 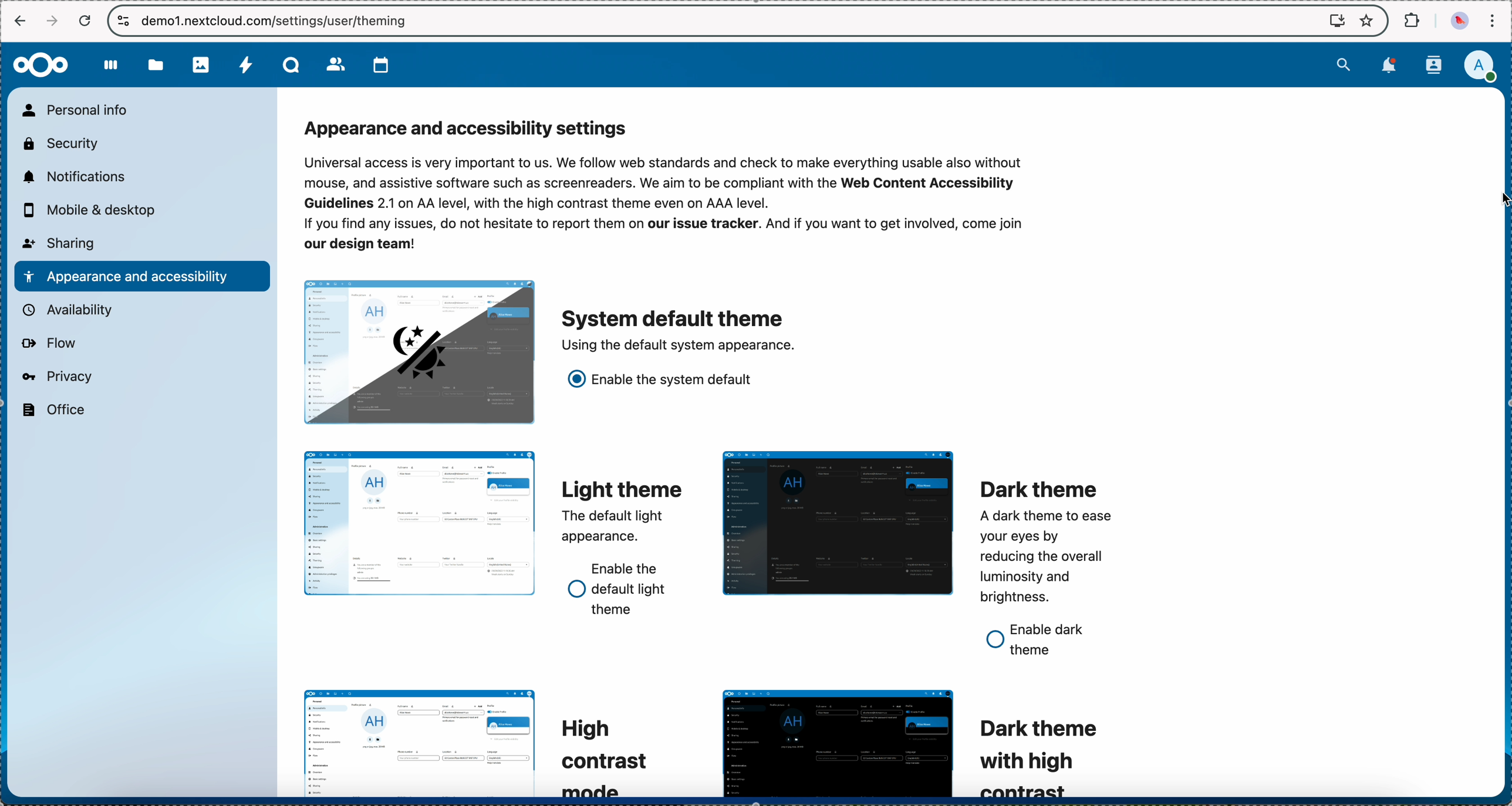 I want to click on dark theme with high contrast preview, so click(x=839, y=743).